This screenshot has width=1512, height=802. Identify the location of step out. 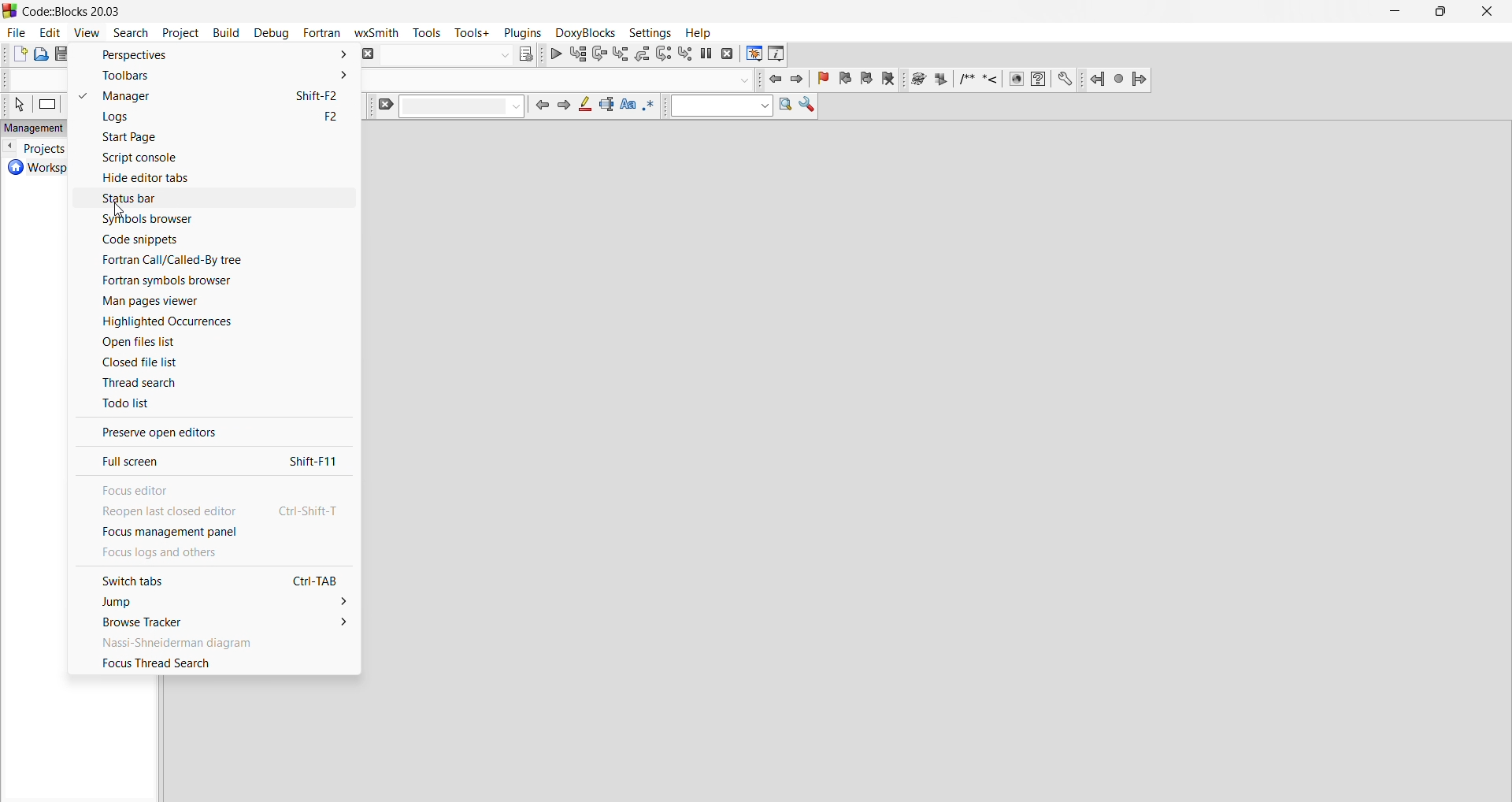
(643, 57).